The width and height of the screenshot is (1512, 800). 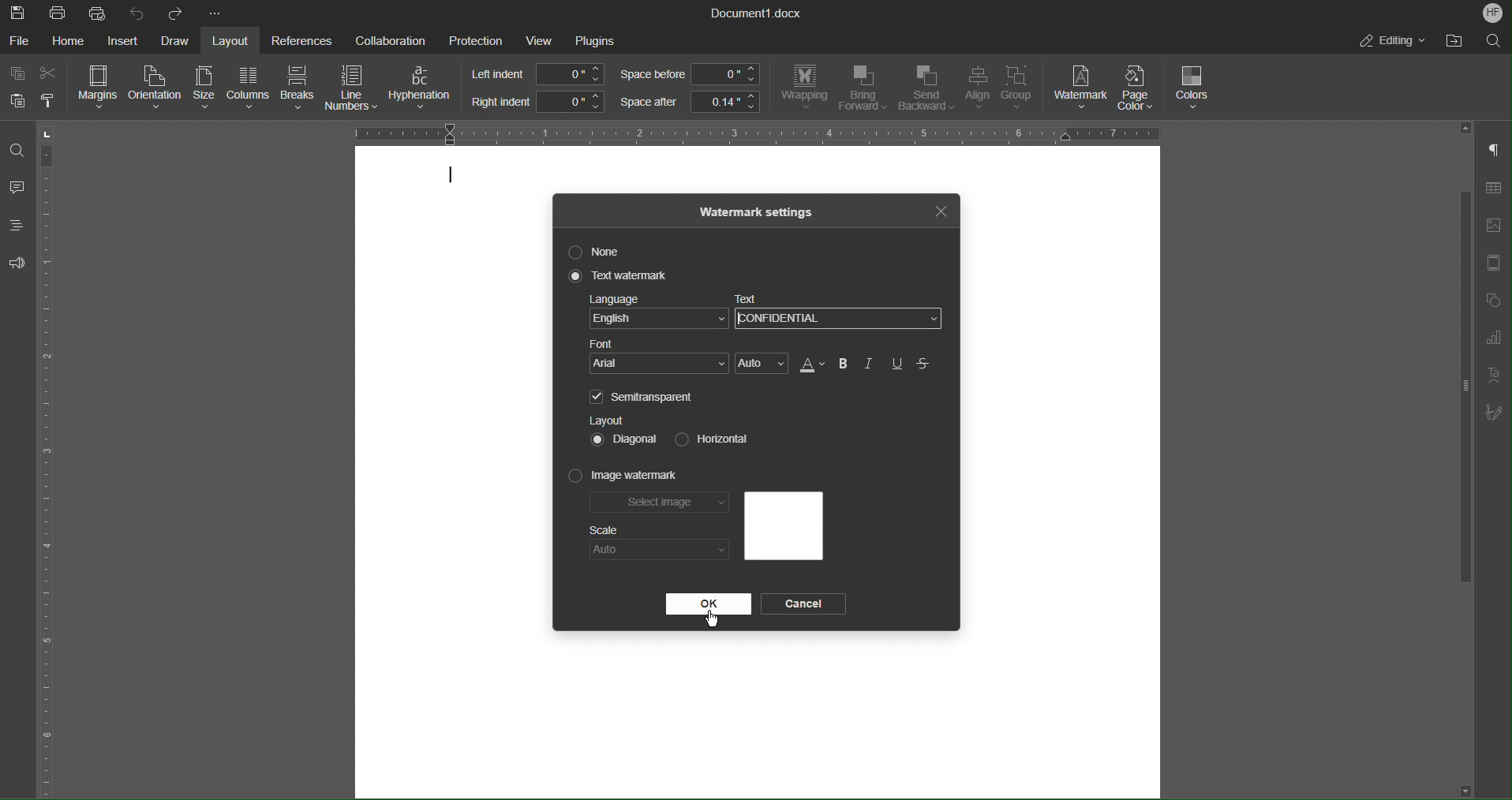 What do you see at coordinates (1493, 39) in the screenshot?
I see `Search` at bounding box center [1493, 39].